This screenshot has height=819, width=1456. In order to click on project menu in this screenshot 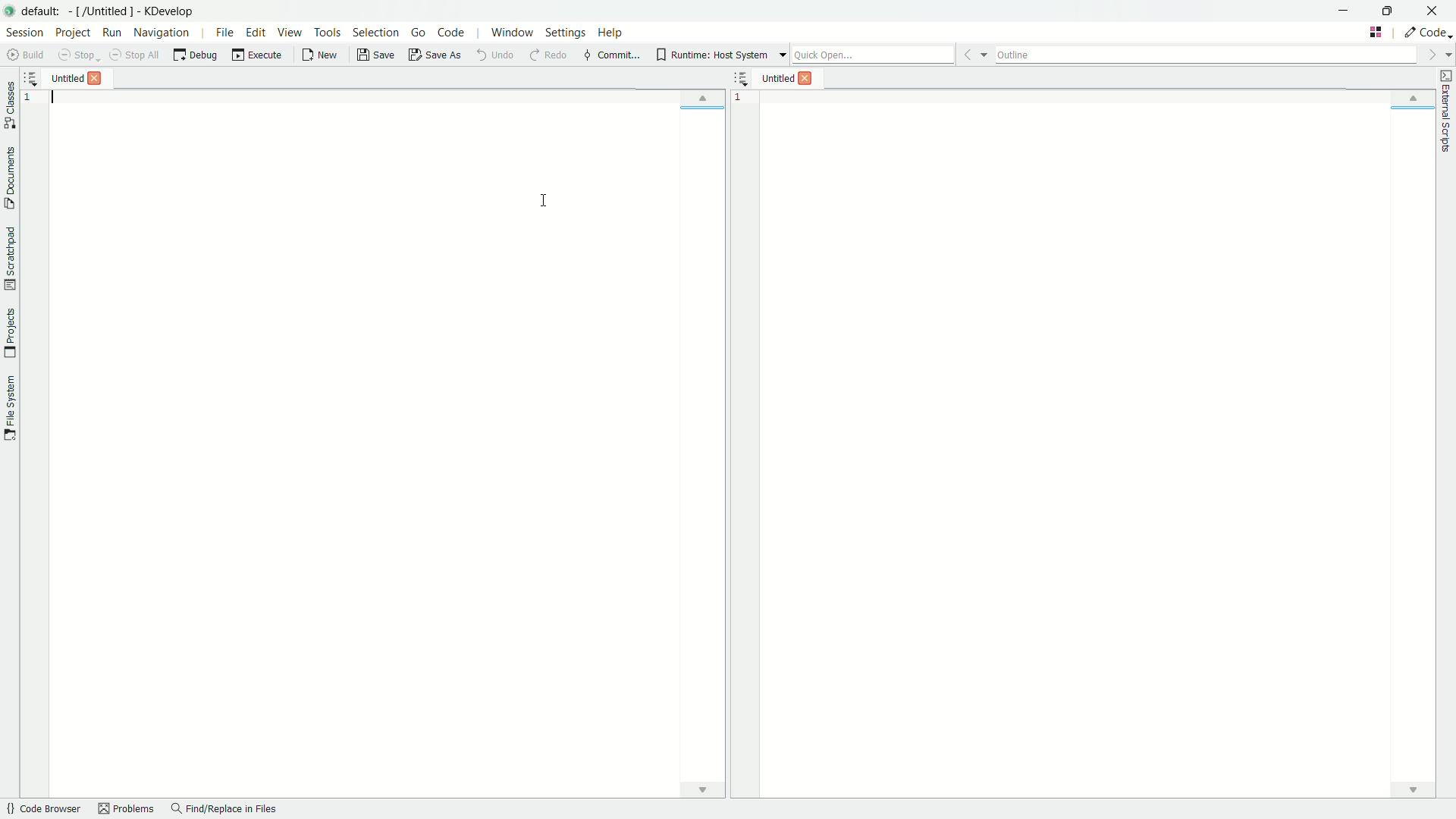, I will do `click(74, 33)`.